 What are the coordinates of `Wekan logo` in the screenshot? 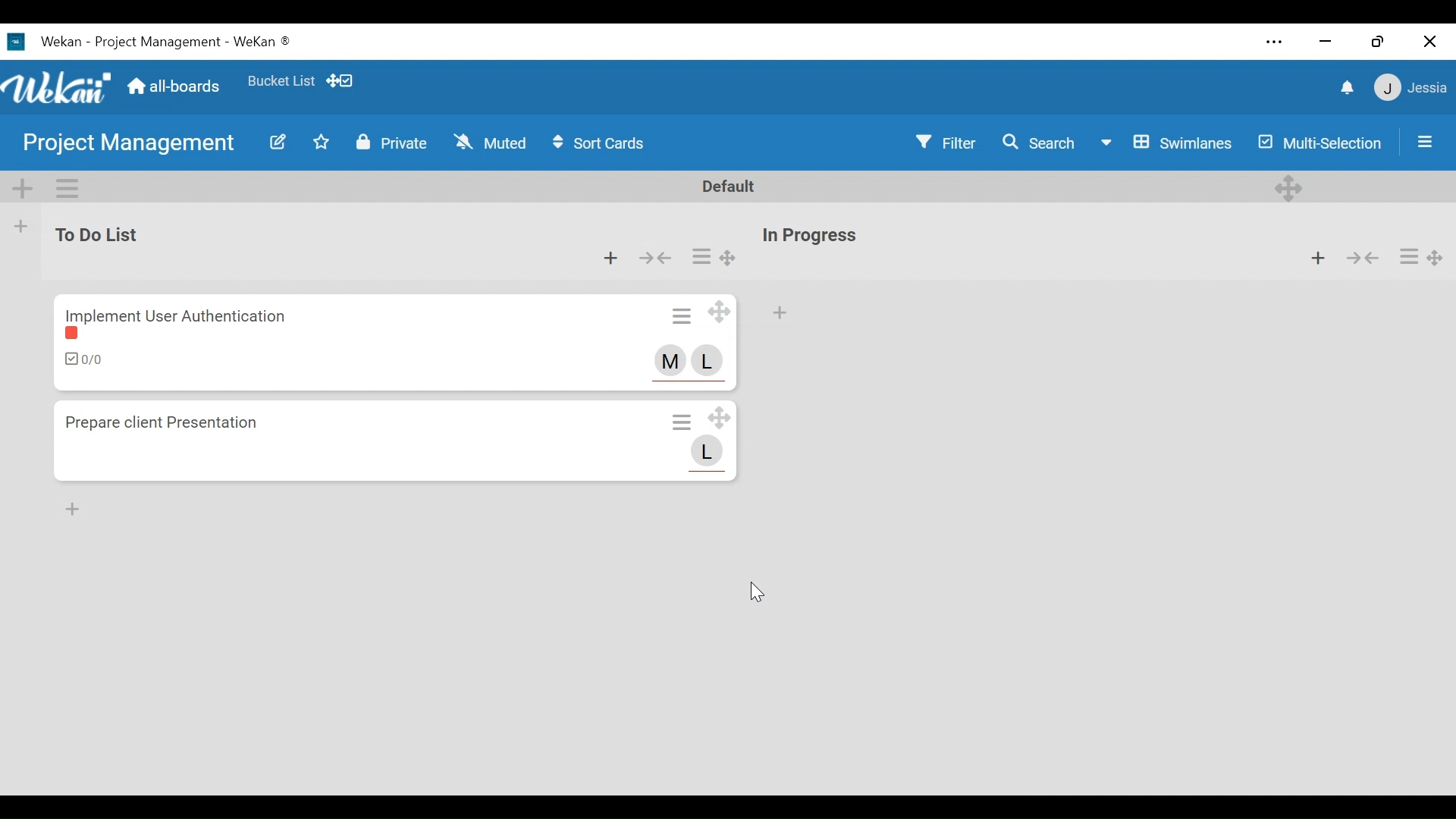 It's located at (59, 89).